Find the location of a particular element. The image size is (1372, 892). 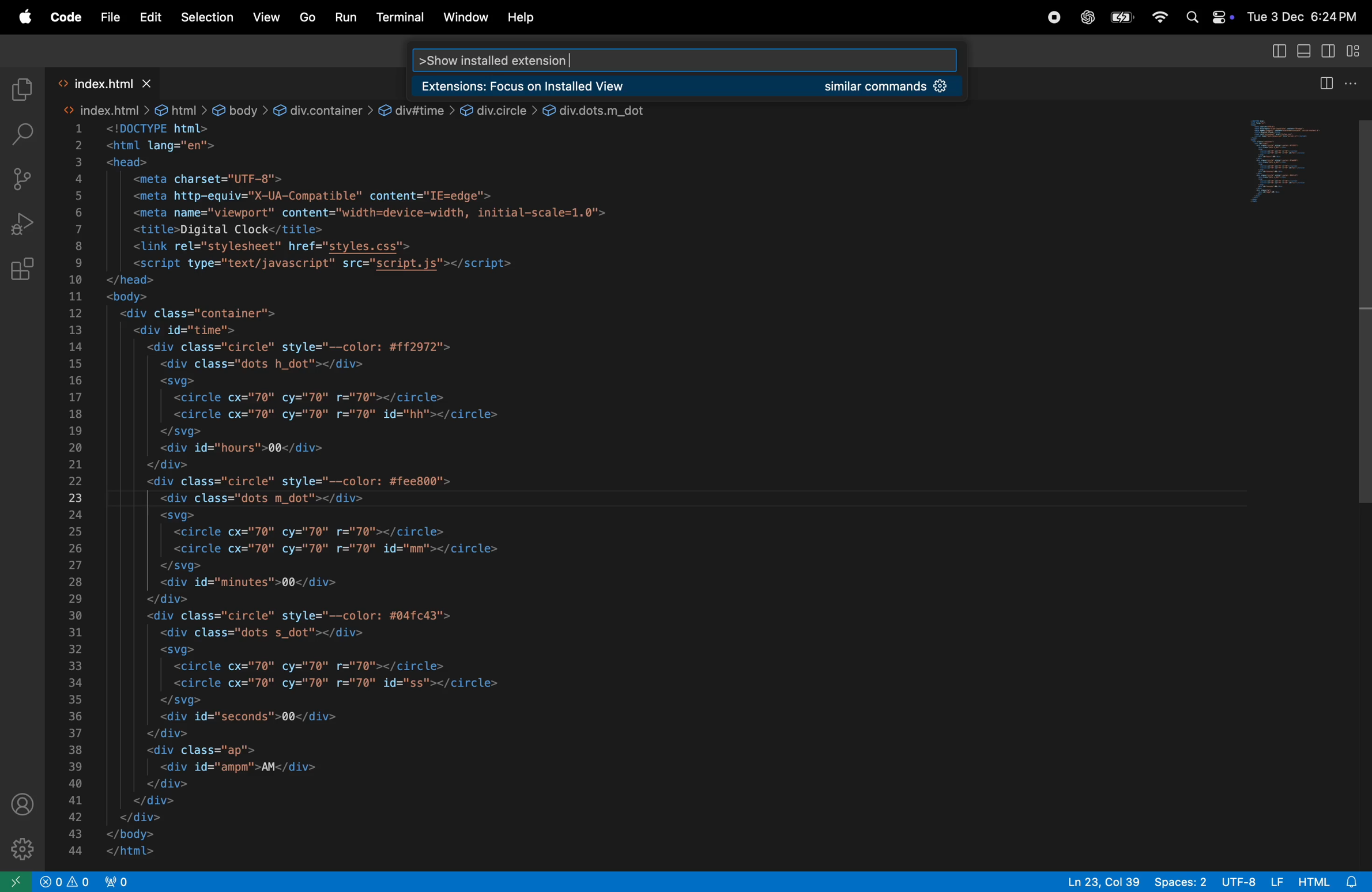

terminal is located at coordinates (401, 16).